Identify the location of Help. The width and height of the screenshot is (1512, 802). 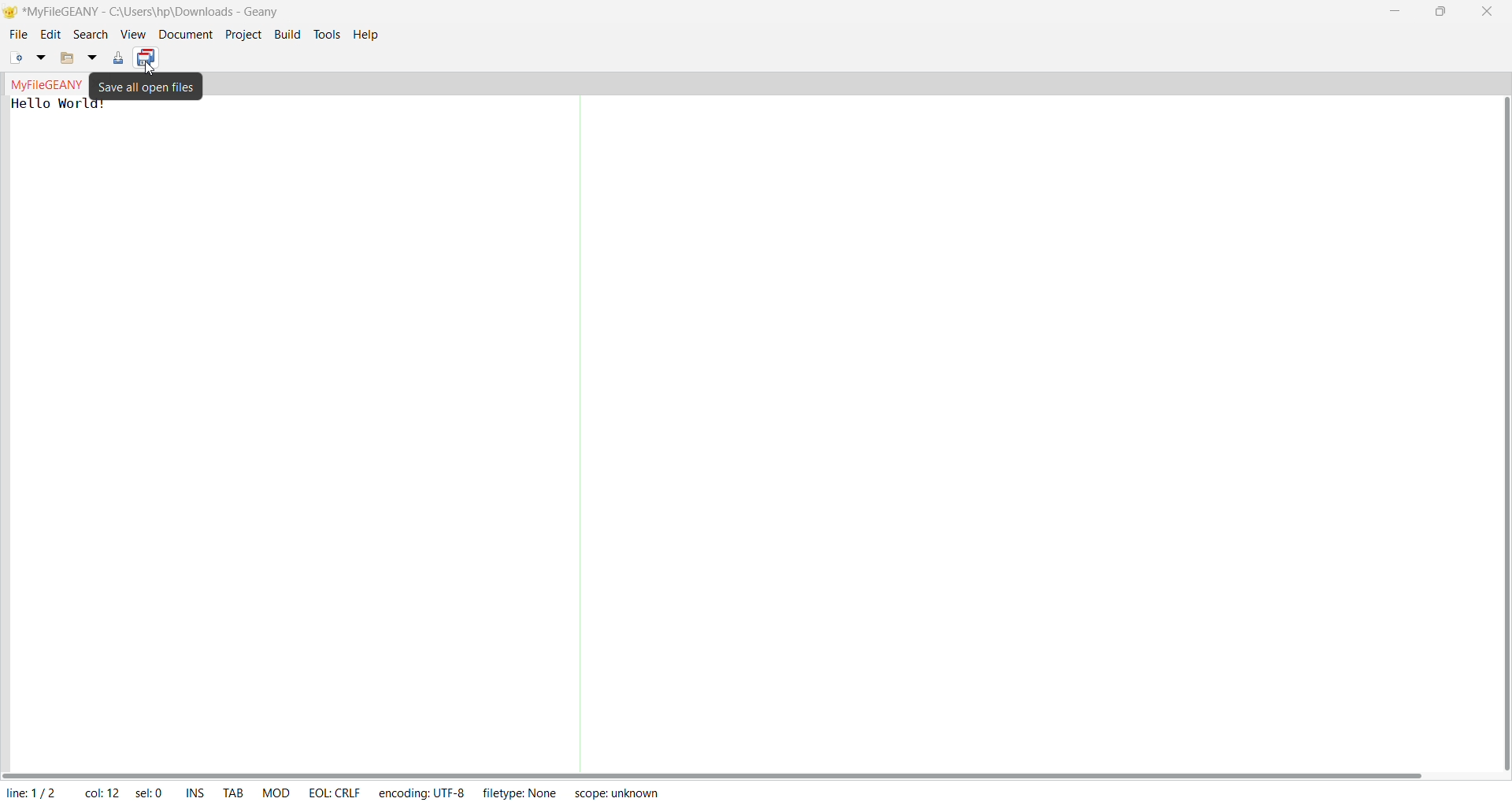
(365, 35).